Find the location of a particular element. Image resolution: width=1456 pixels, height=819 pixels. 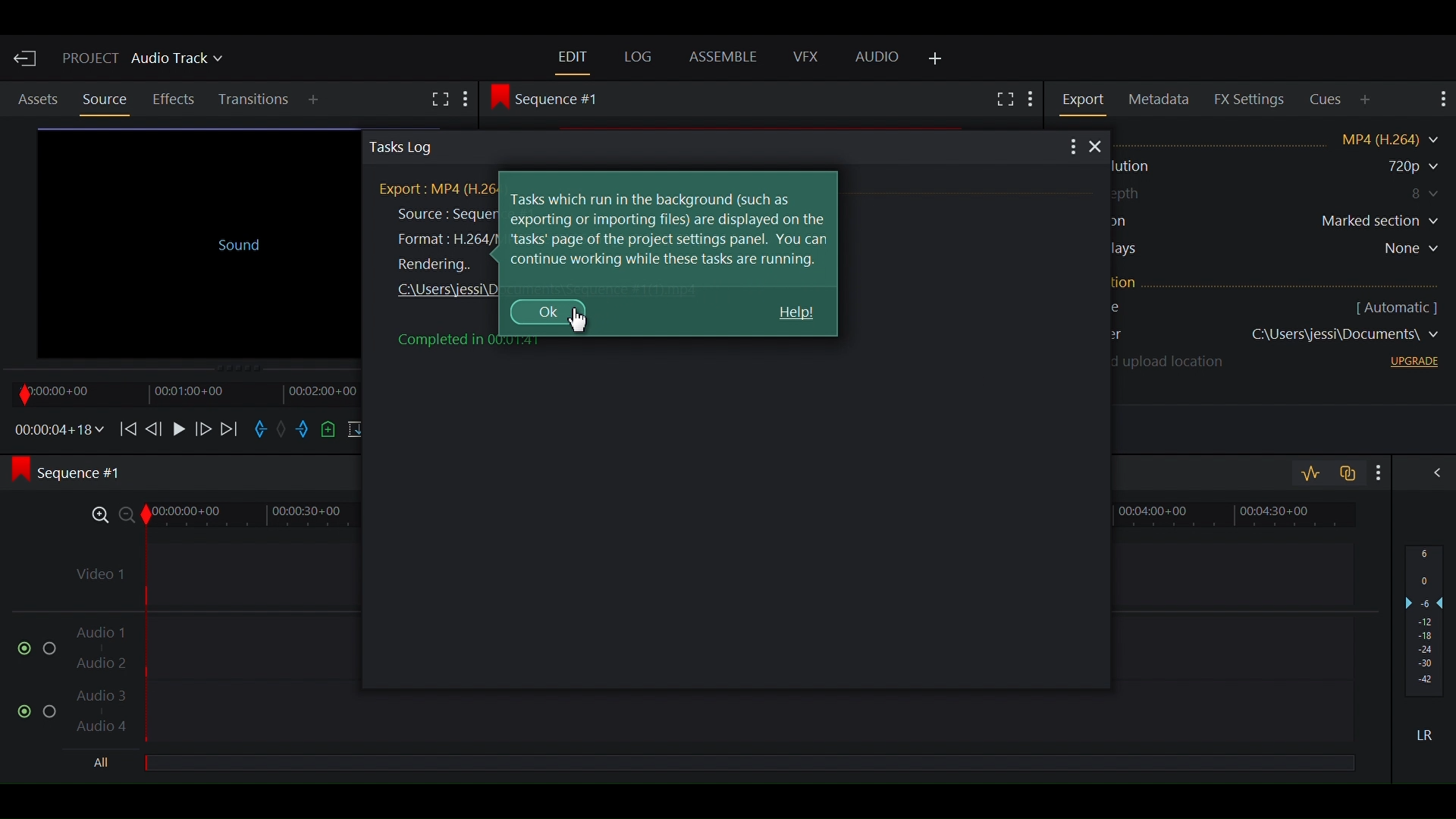

Sequence #1 is located at coordinates (77, 474).